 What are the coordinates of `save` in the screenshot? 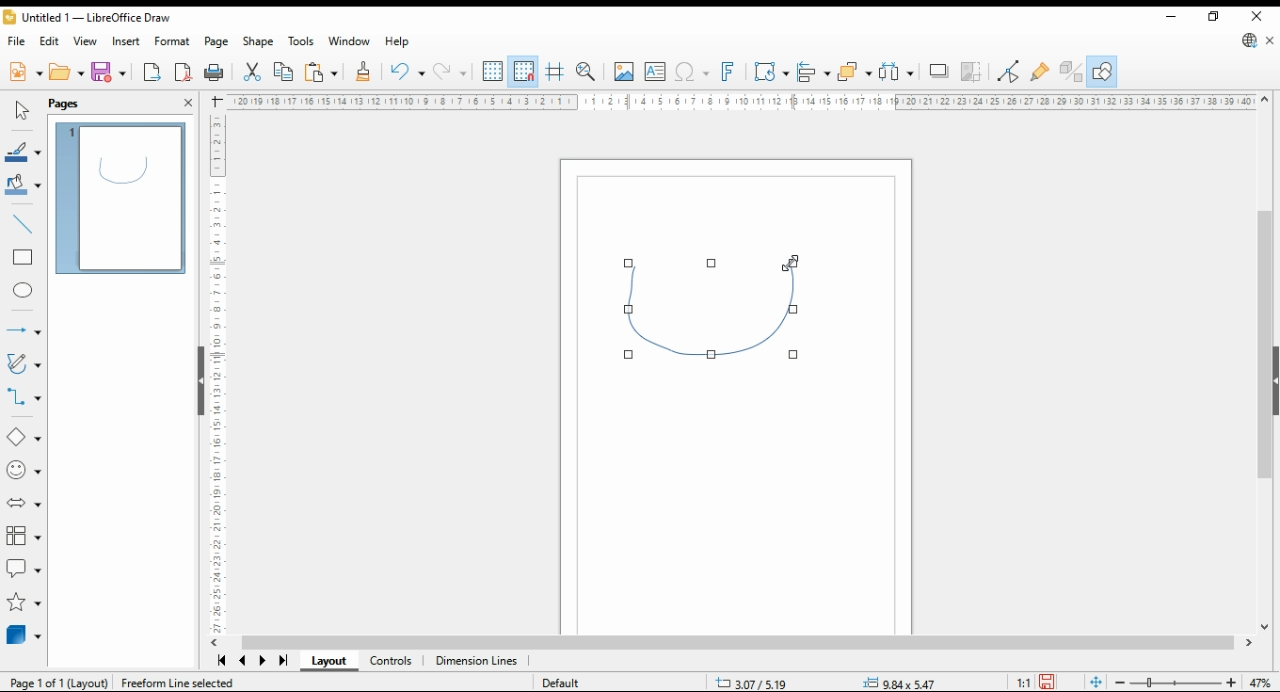 It's located at (1046, 682).